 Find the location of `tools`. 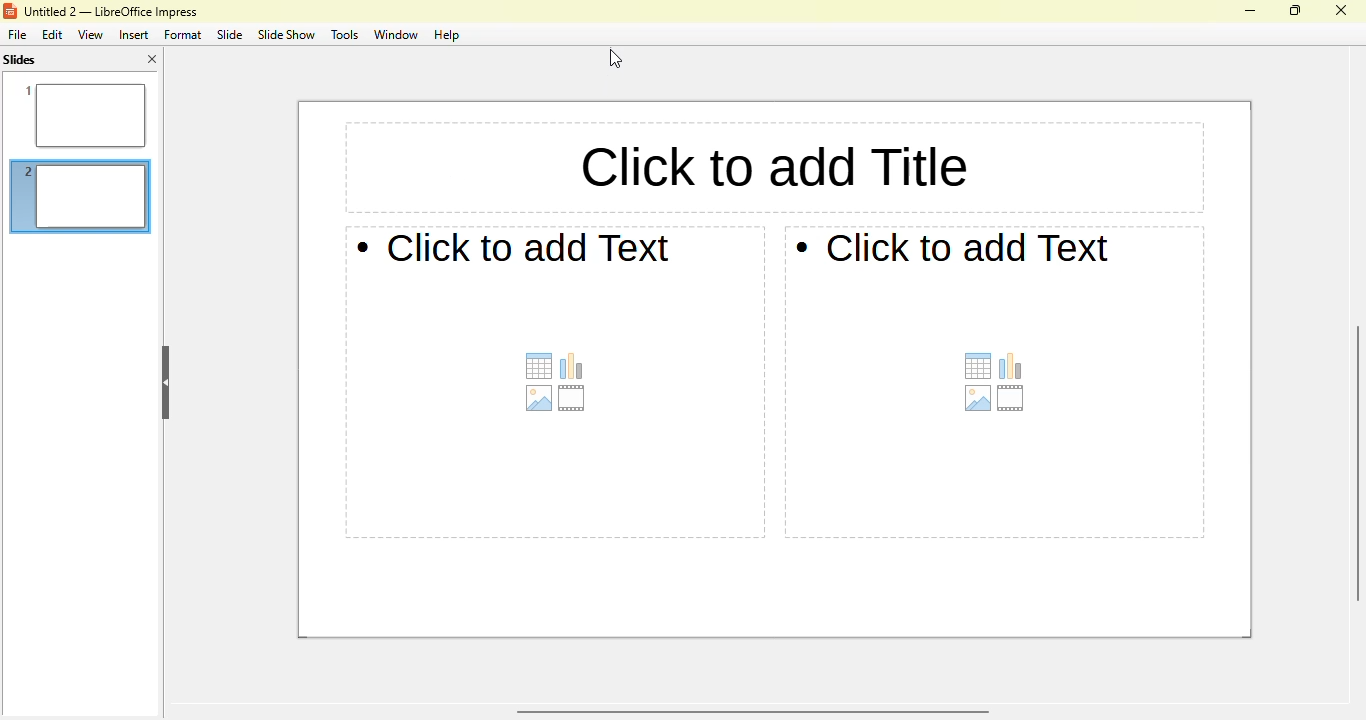

tools is located at coordinates (343, 34).